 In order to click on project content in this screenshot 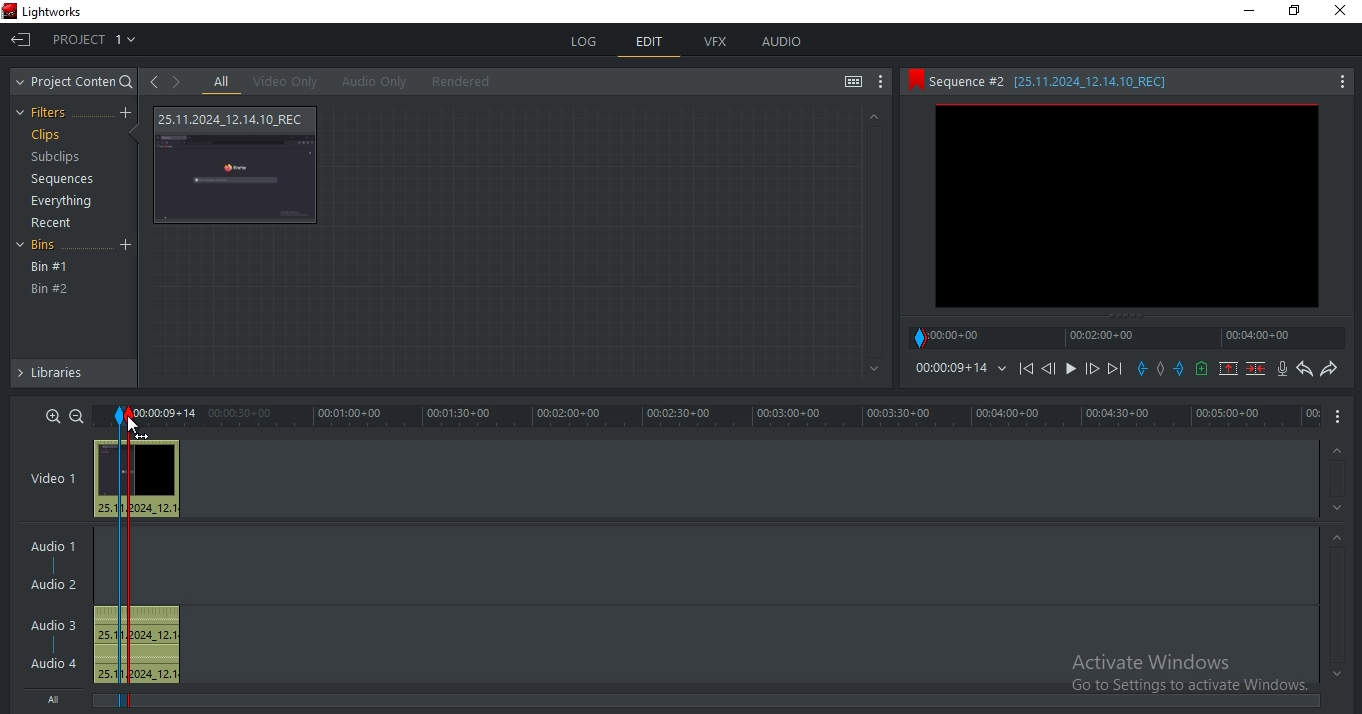, I will do `click(76, 82)`.